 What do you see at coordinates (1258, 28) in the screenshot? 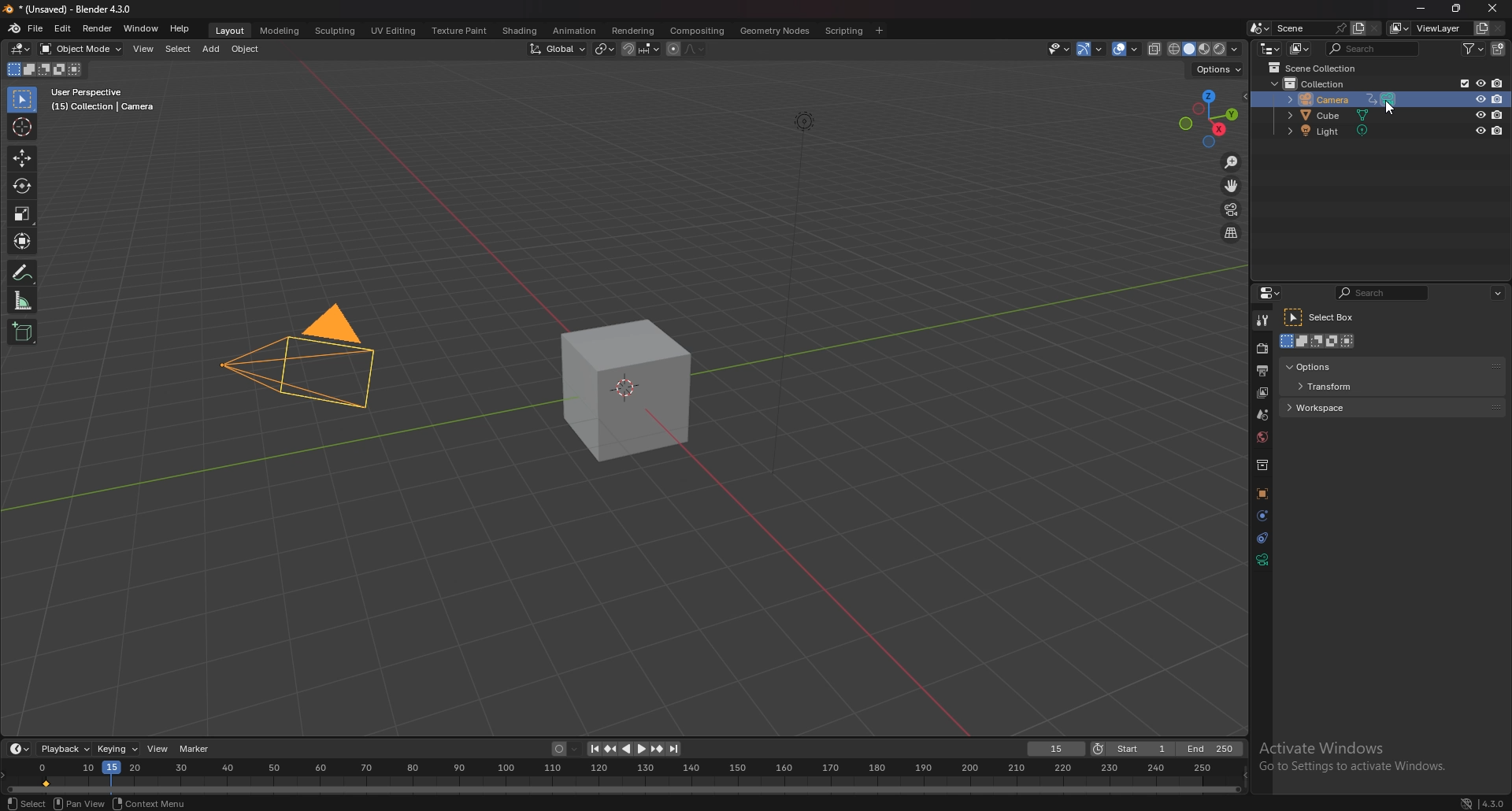
I see `browse scene` at bounding box center [1258, 28].